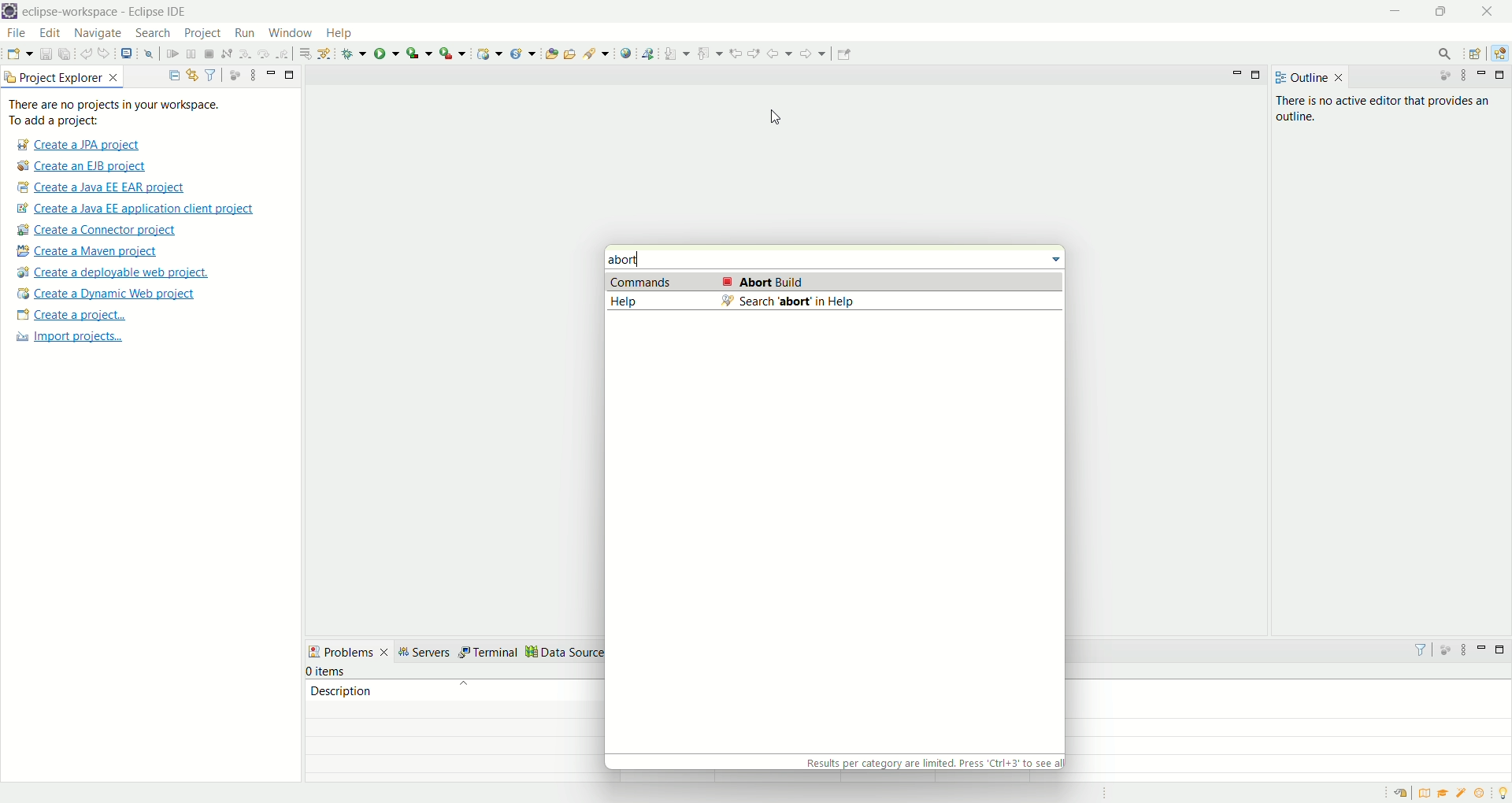 The height and width of the screenshot is (803, 1512). What do you see at coordinates (132, 113) in the screenshot?
I see `text` at bounding box center [132, 113].